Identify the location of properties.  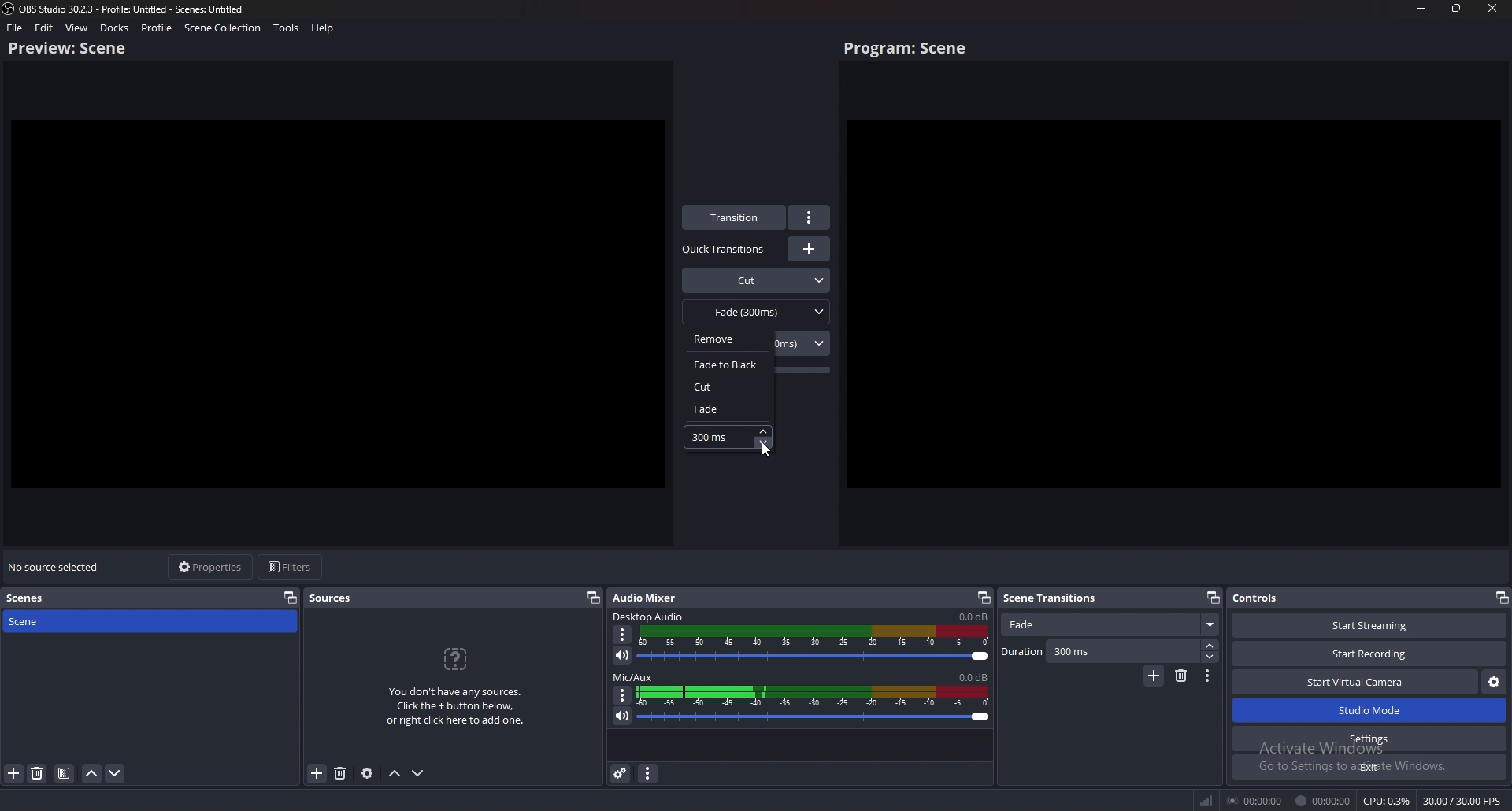
(213, 567).